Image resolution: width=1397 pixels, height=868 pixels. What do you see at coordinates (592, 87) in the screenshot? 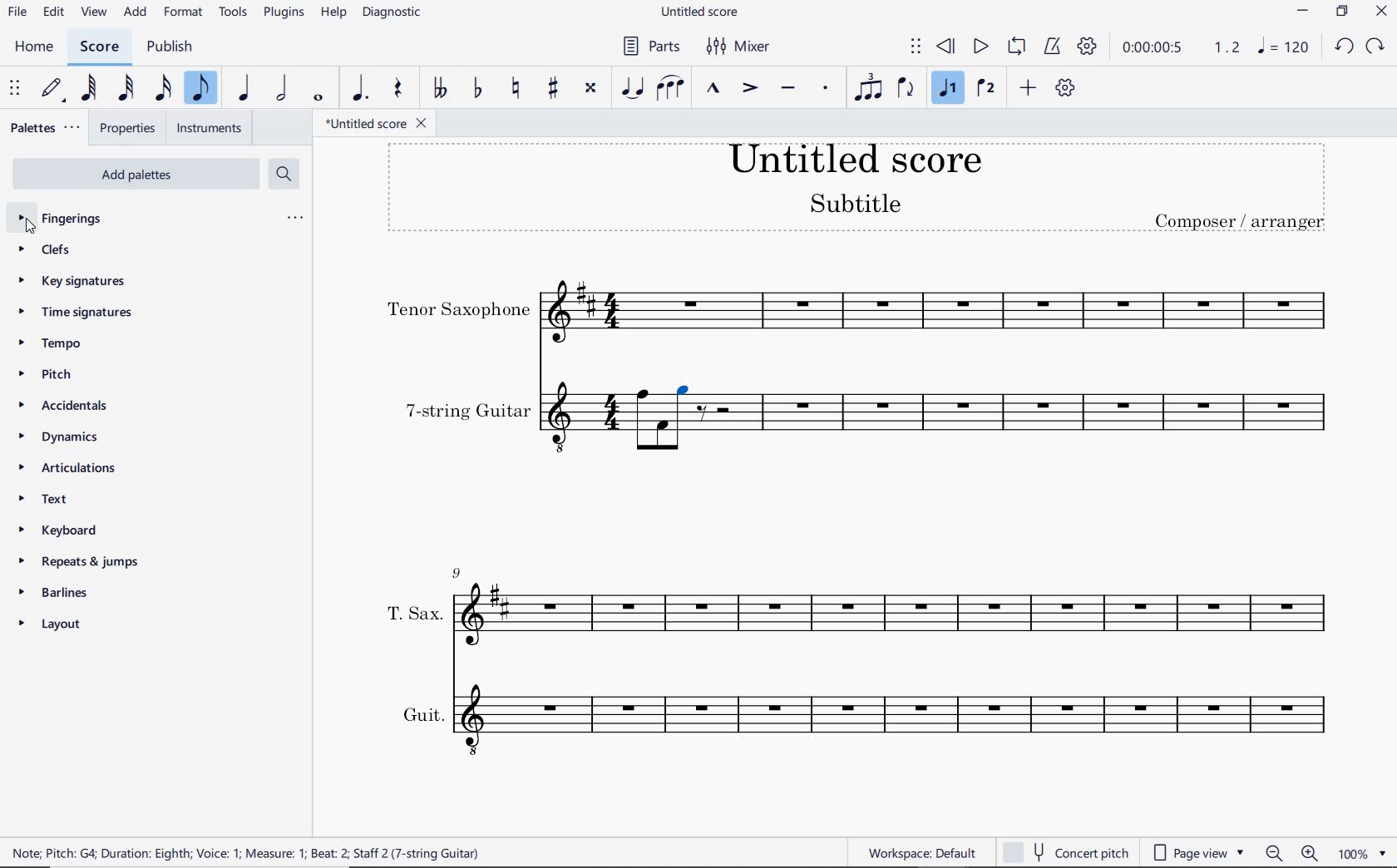
I see `TOGGLE DOUBLE-SHARP` at bounding box center [592, 87].